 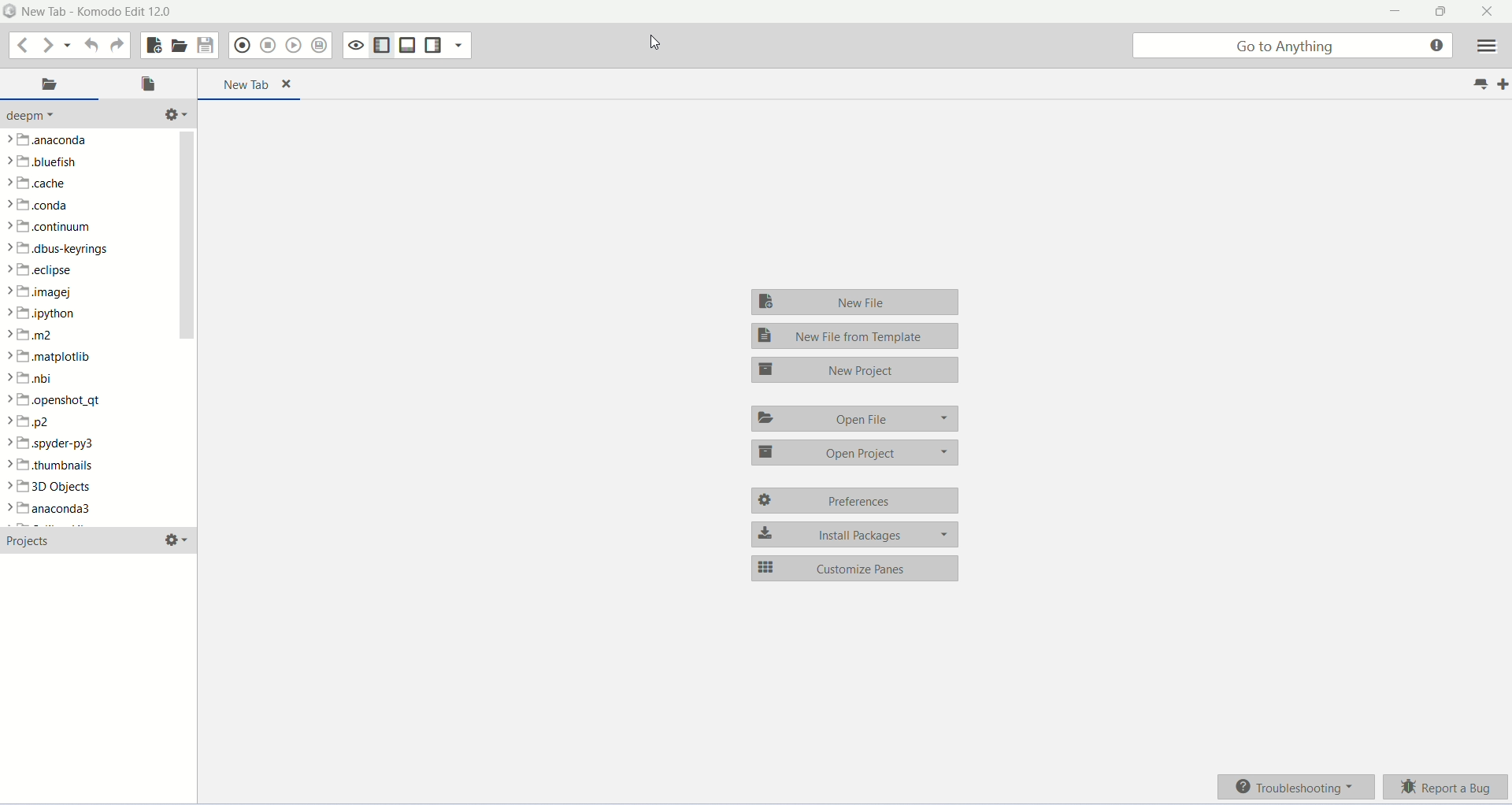 I want to click on verticals scroll bar, so click(x=187, y=327).